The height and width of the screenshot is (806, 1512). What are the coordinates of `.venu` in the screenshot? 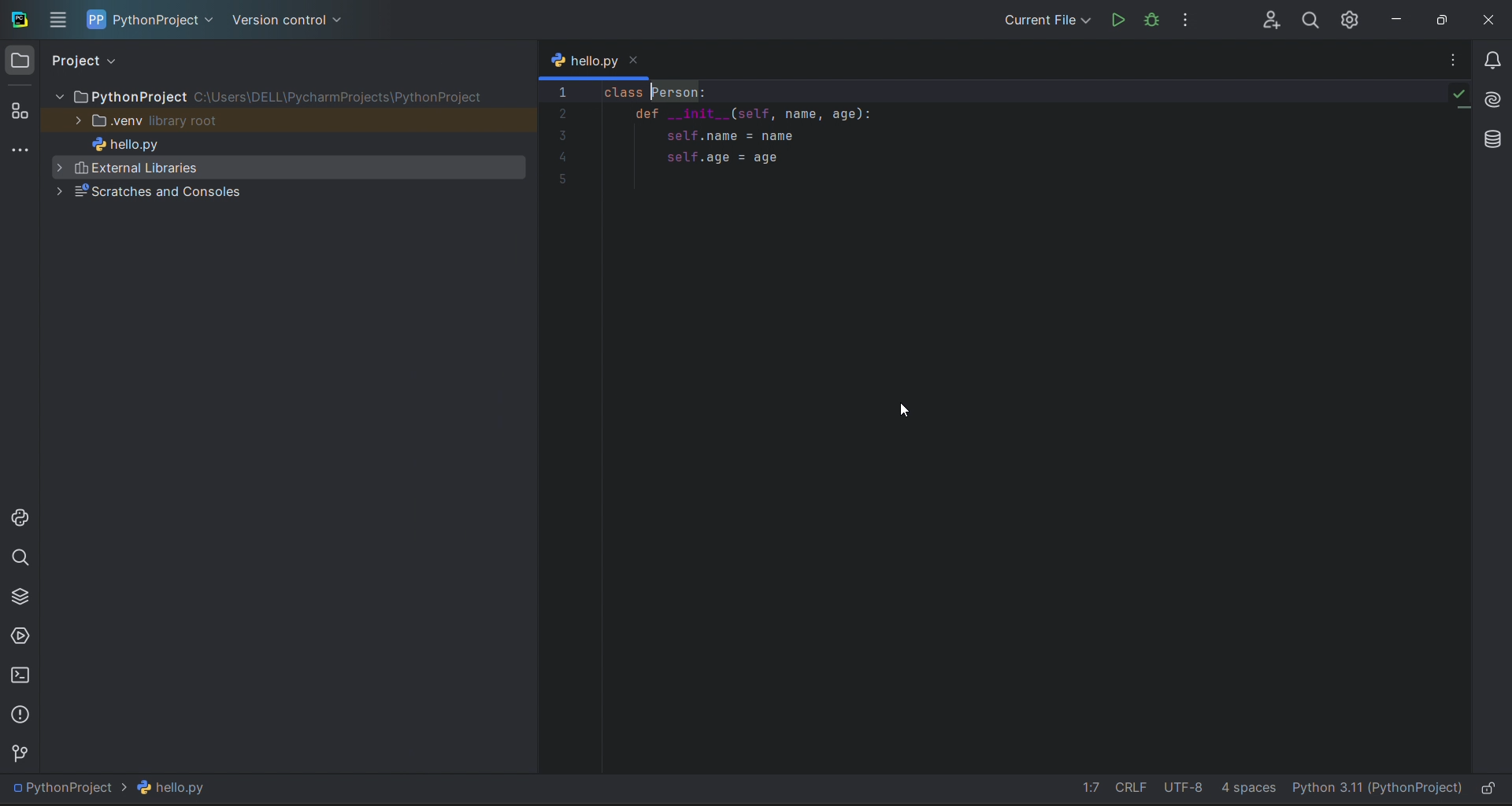 It's located at (287, 120).